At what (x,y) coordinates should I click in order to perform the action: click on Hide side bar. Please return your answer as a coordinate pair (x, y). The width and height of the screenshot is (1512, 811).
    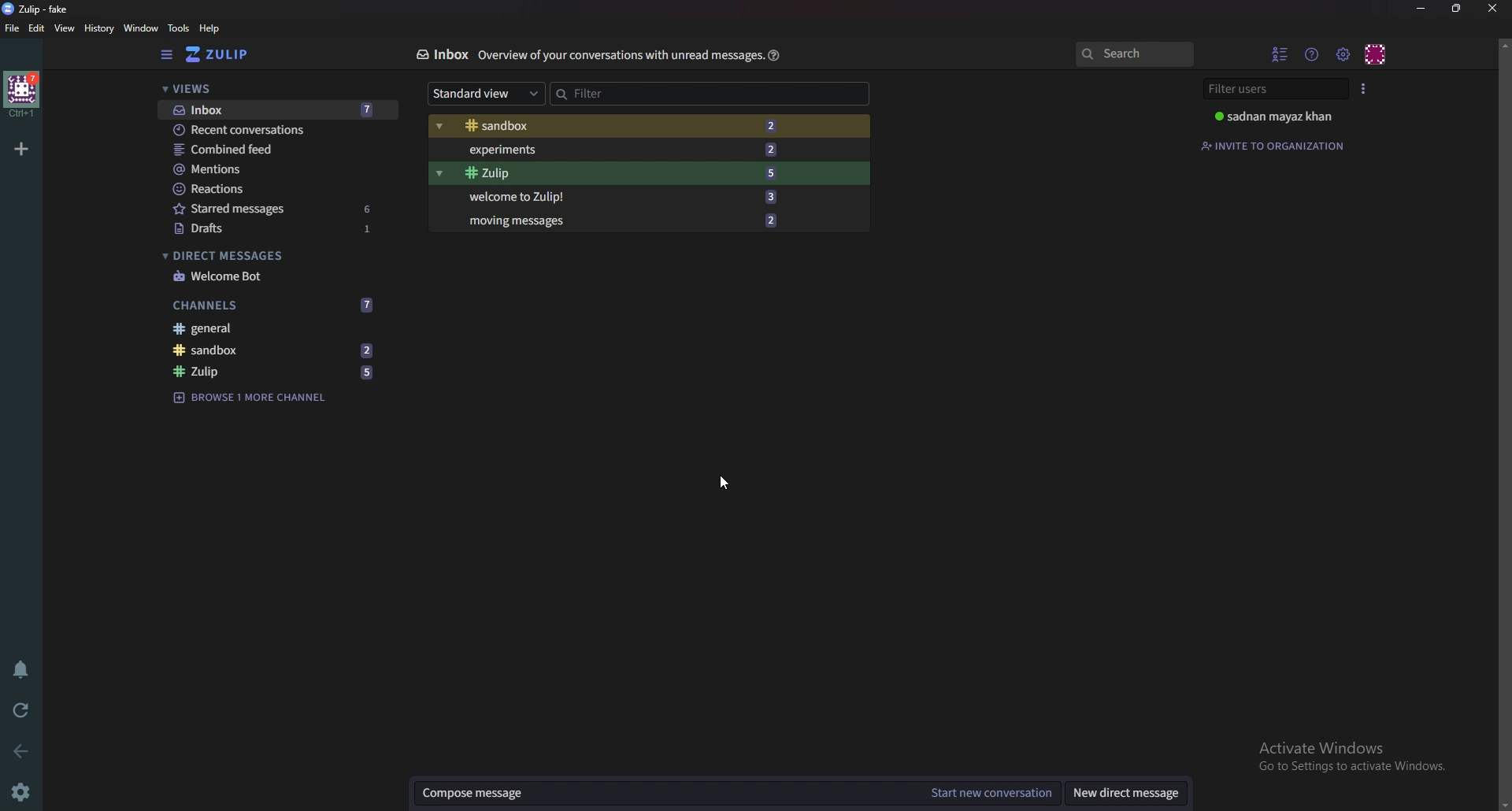
    Looking at the image, I should click on (170, 54).